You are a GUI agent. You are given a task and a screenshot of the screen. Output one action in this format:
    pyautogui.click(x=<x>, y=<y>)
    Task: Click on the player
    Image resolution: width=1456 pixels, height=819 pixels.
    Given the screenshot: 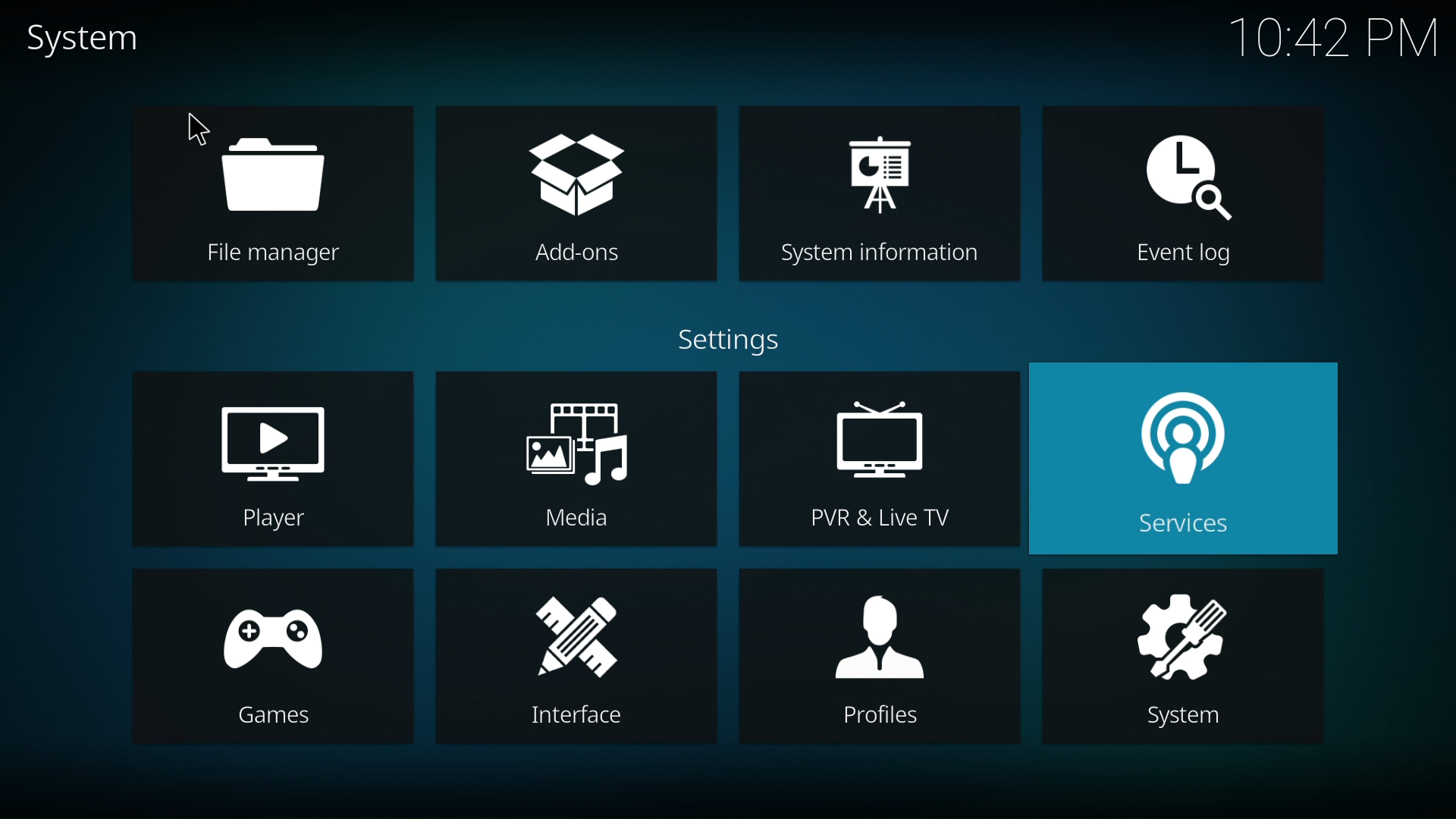 What is the action you would take?
    pyautogui.click(x=881, y=658)
    